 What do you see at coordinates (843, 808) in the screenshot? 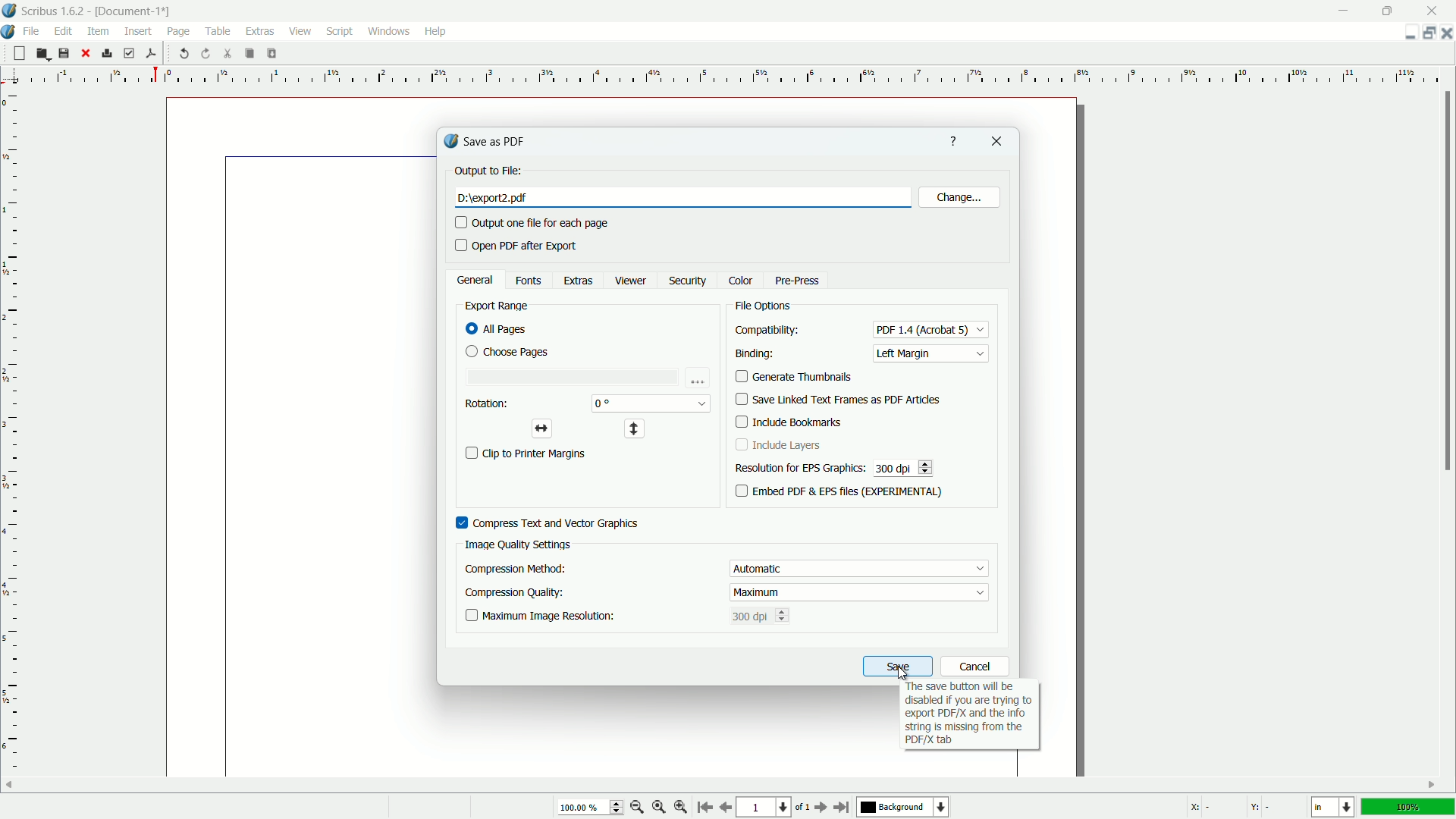
I see `go to last page` at bounding box center [843, 808].